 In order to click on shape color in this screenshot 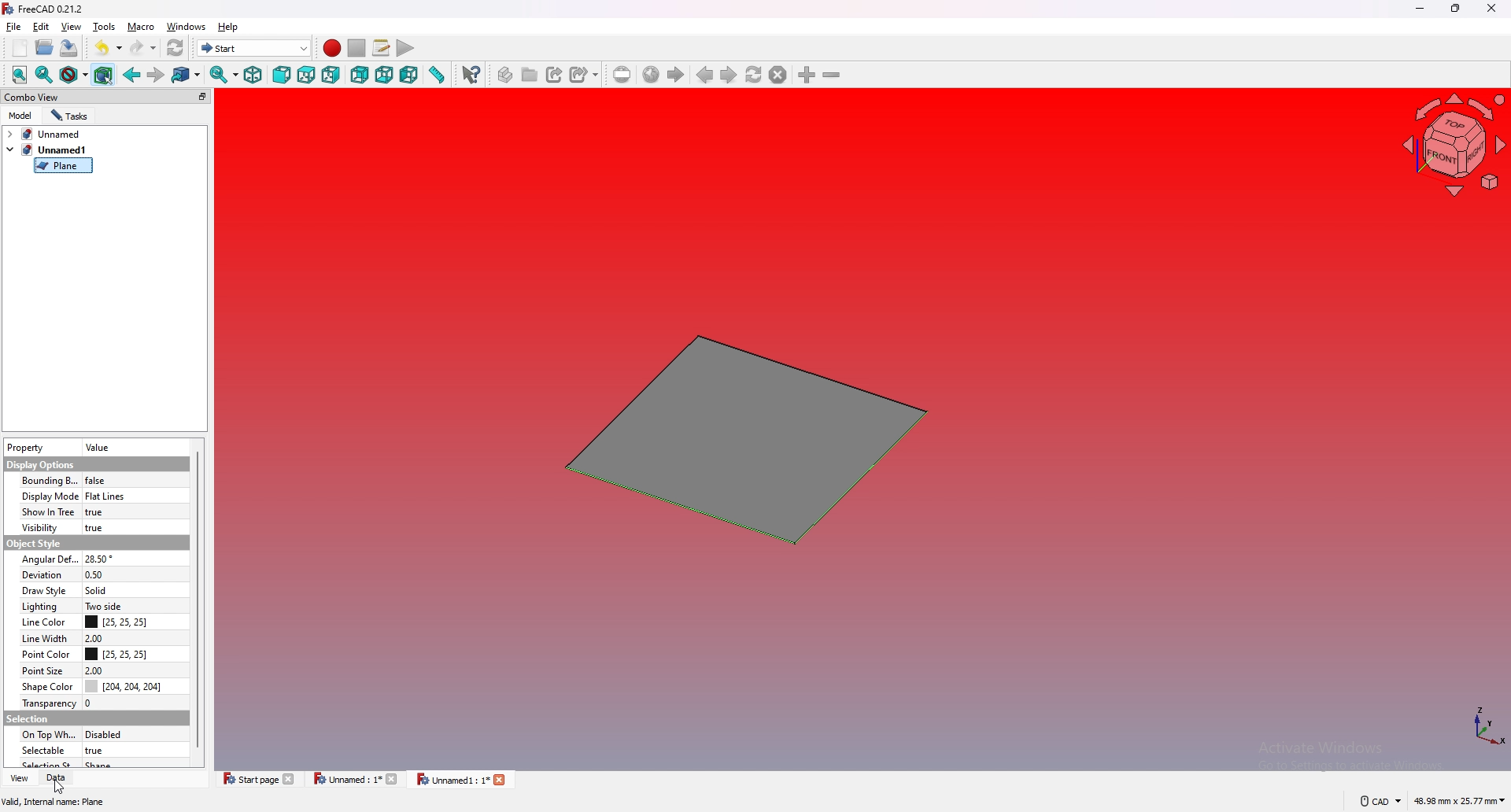, I will do `click(48, 687)`.